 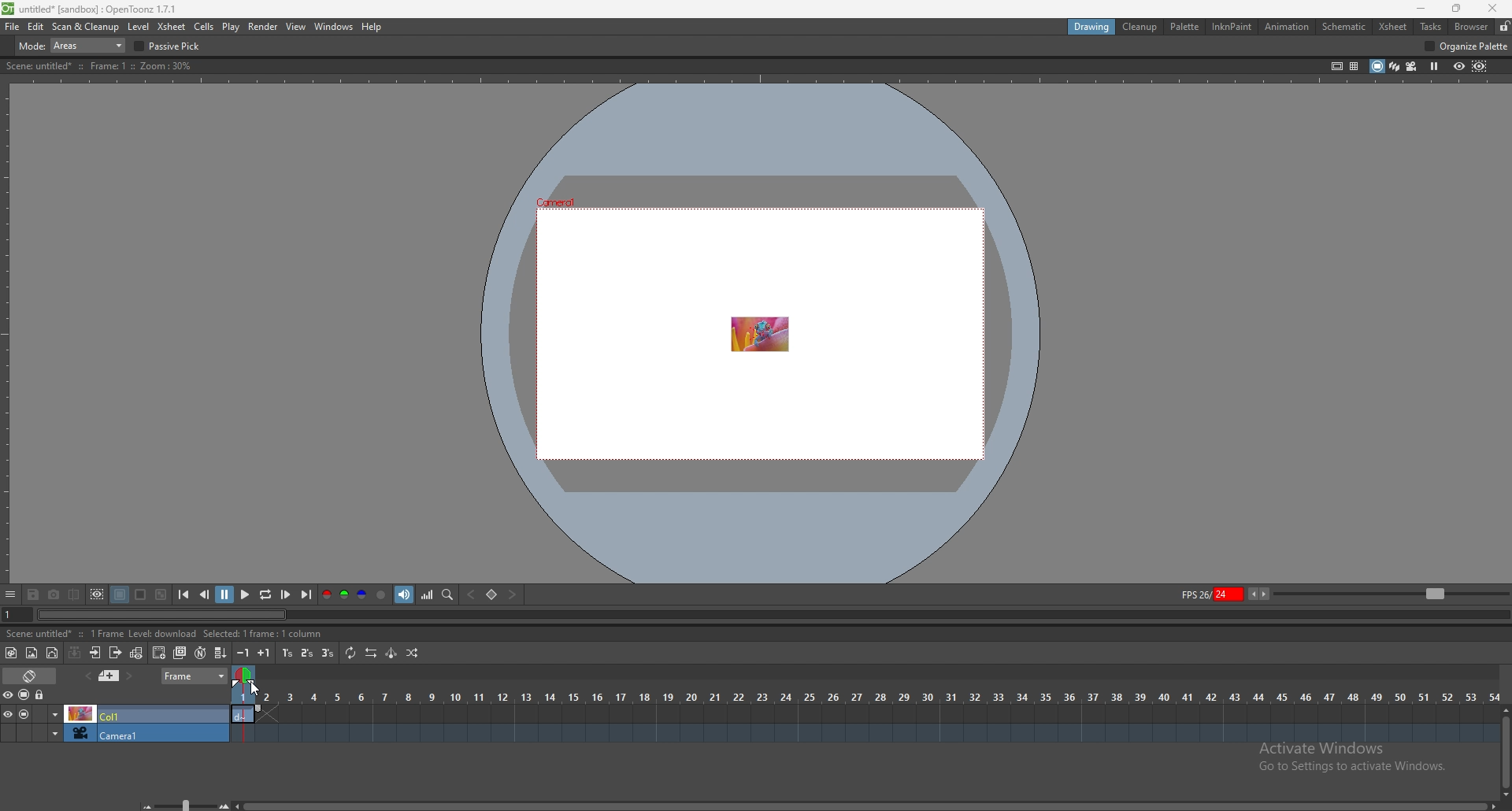 I want to click on play, so click(x=231, y=28).